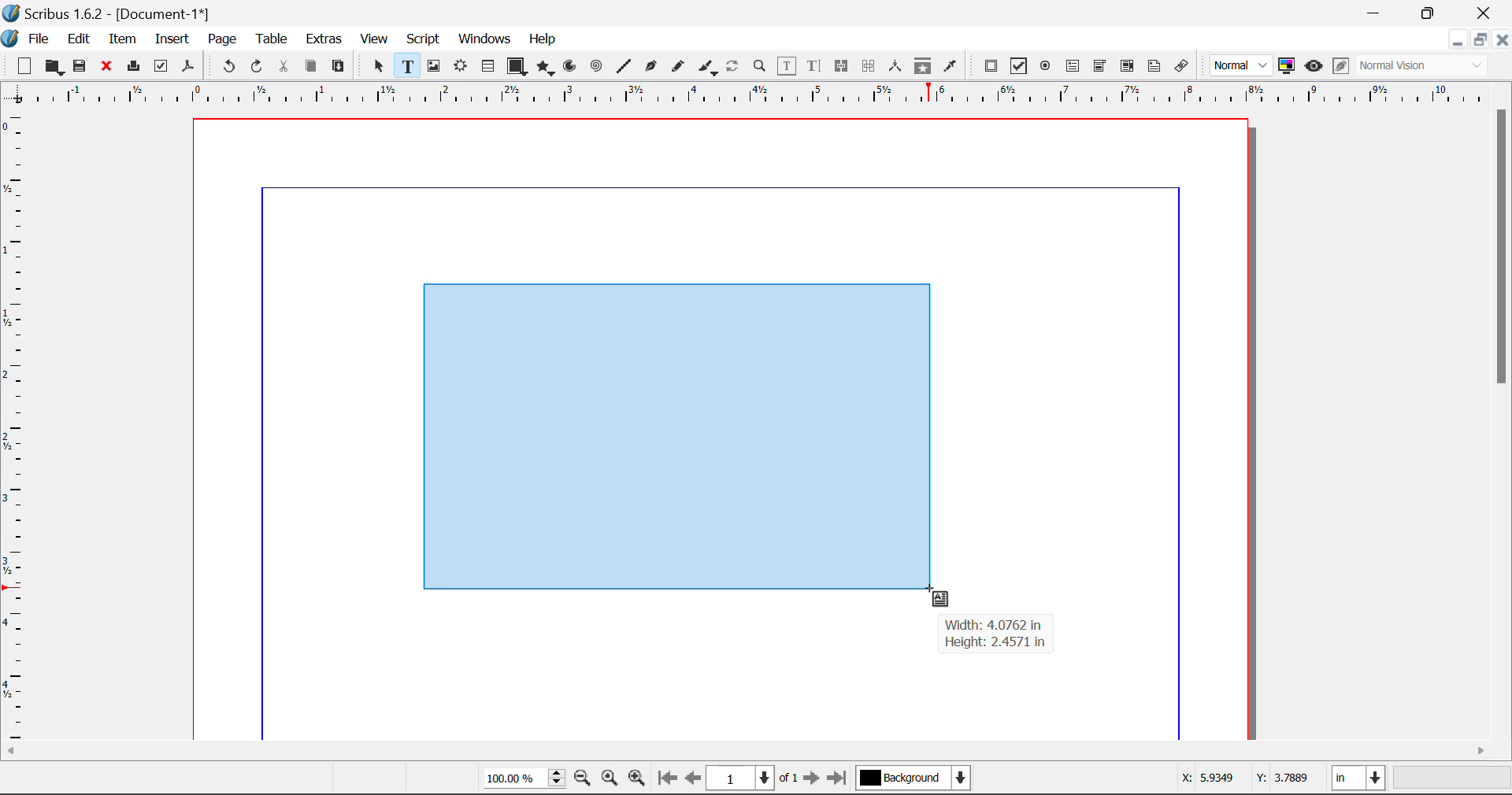 This screenshot has height=795, width=1512. I want to click on Discard, so click(107, 67).